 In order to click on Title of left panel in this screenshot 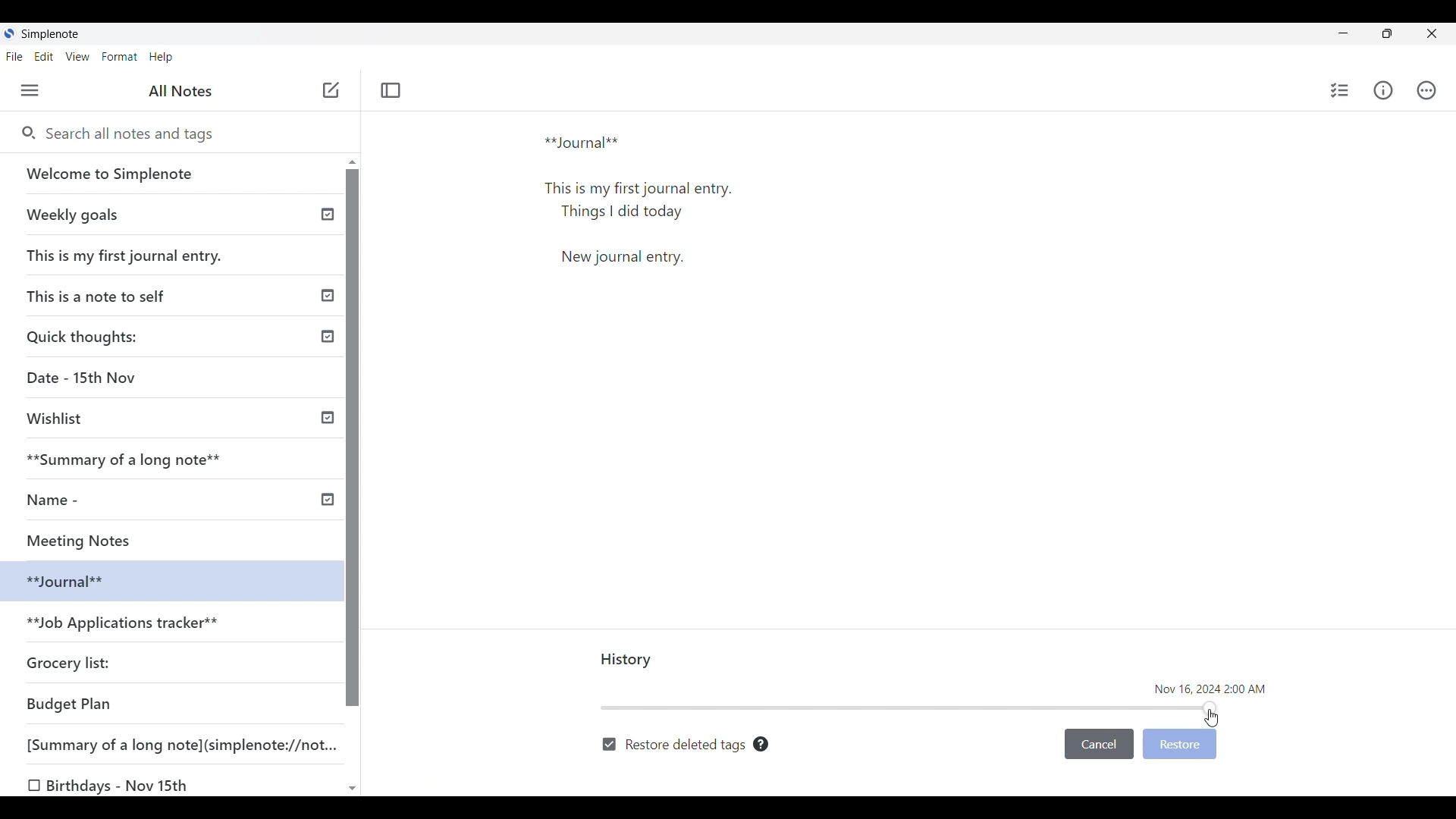, I will do `click(180, 91)`.